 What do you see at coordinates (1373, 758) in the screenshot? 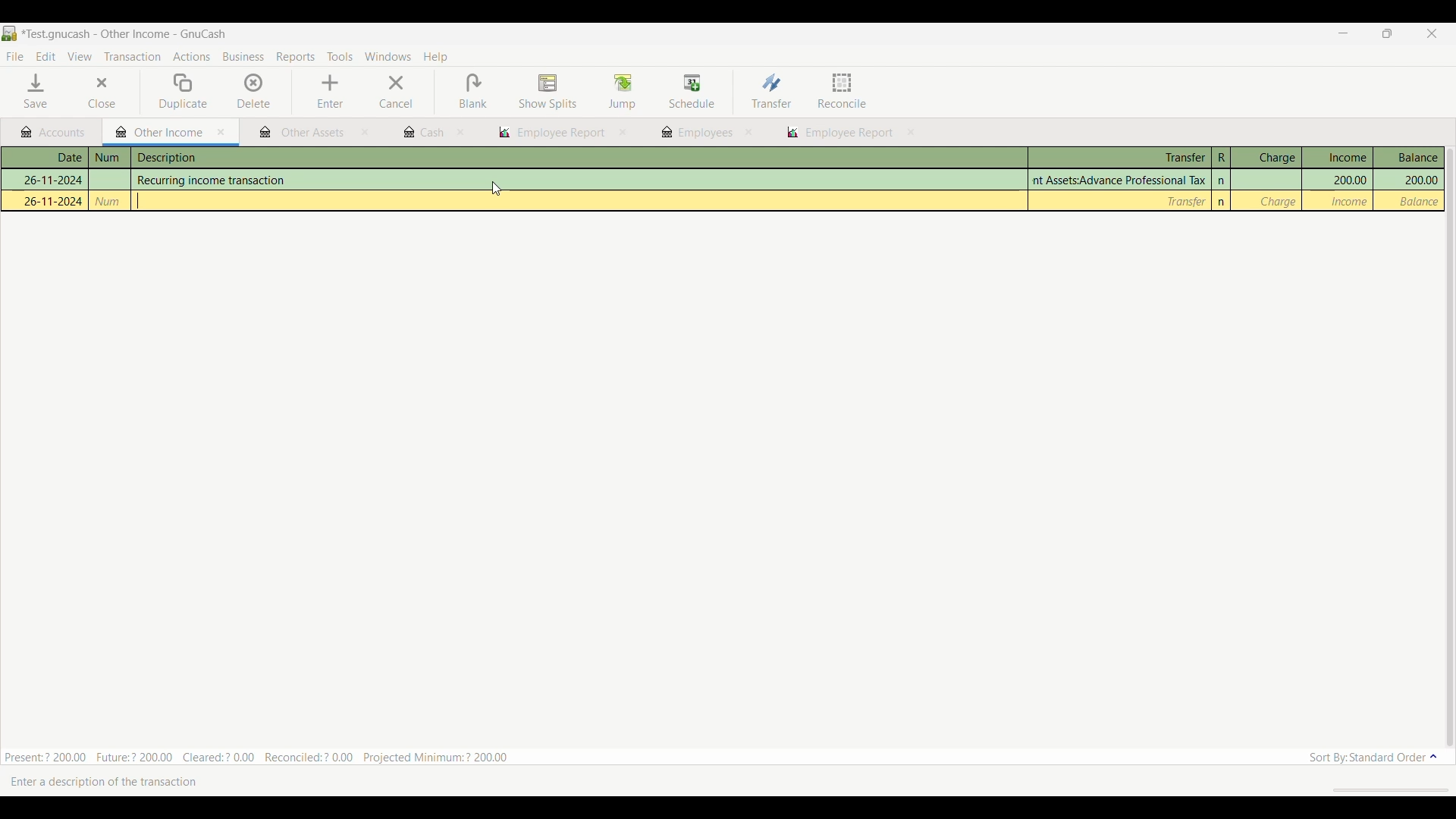
I see `Sort order options` at bounding box center [1373, 758].